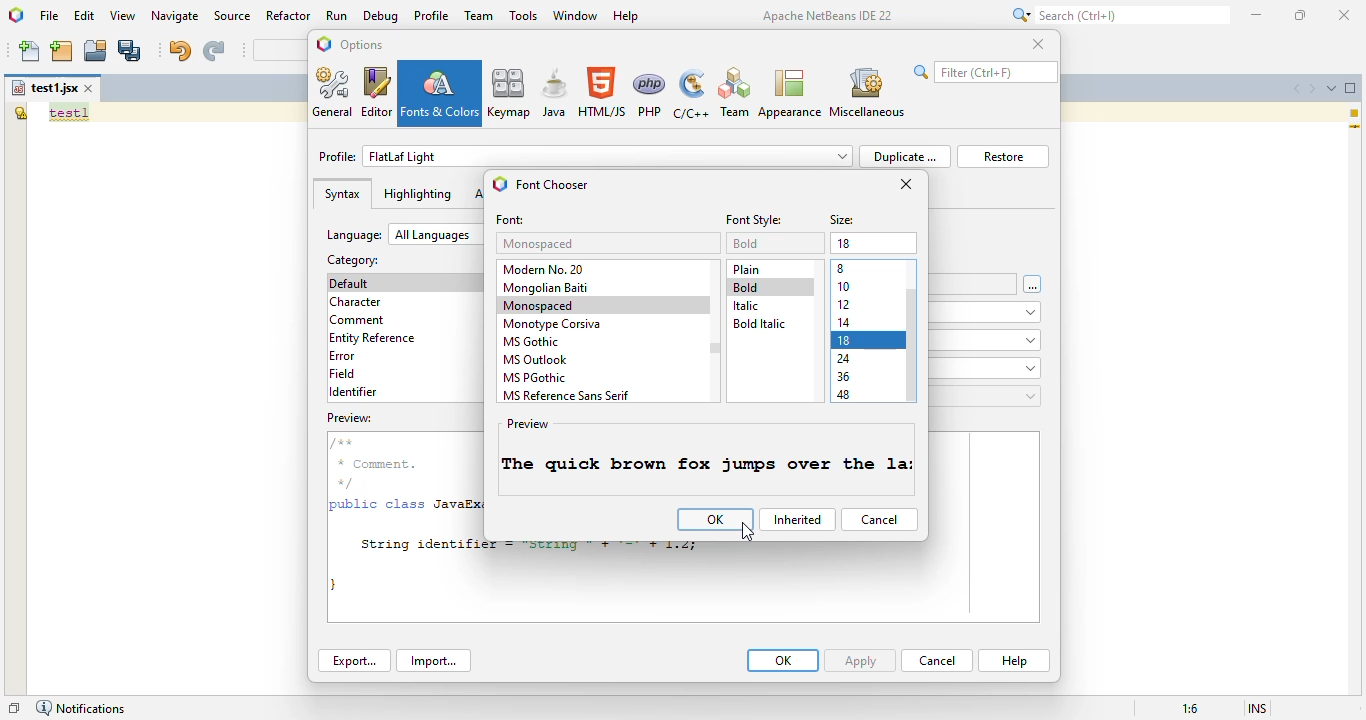 The width and height of the screenshot is (1366, 720). What do you see at coordinates (1313, 89) in the screenshot?
I see `scroll documents right` at bounding box center [1313, 89].